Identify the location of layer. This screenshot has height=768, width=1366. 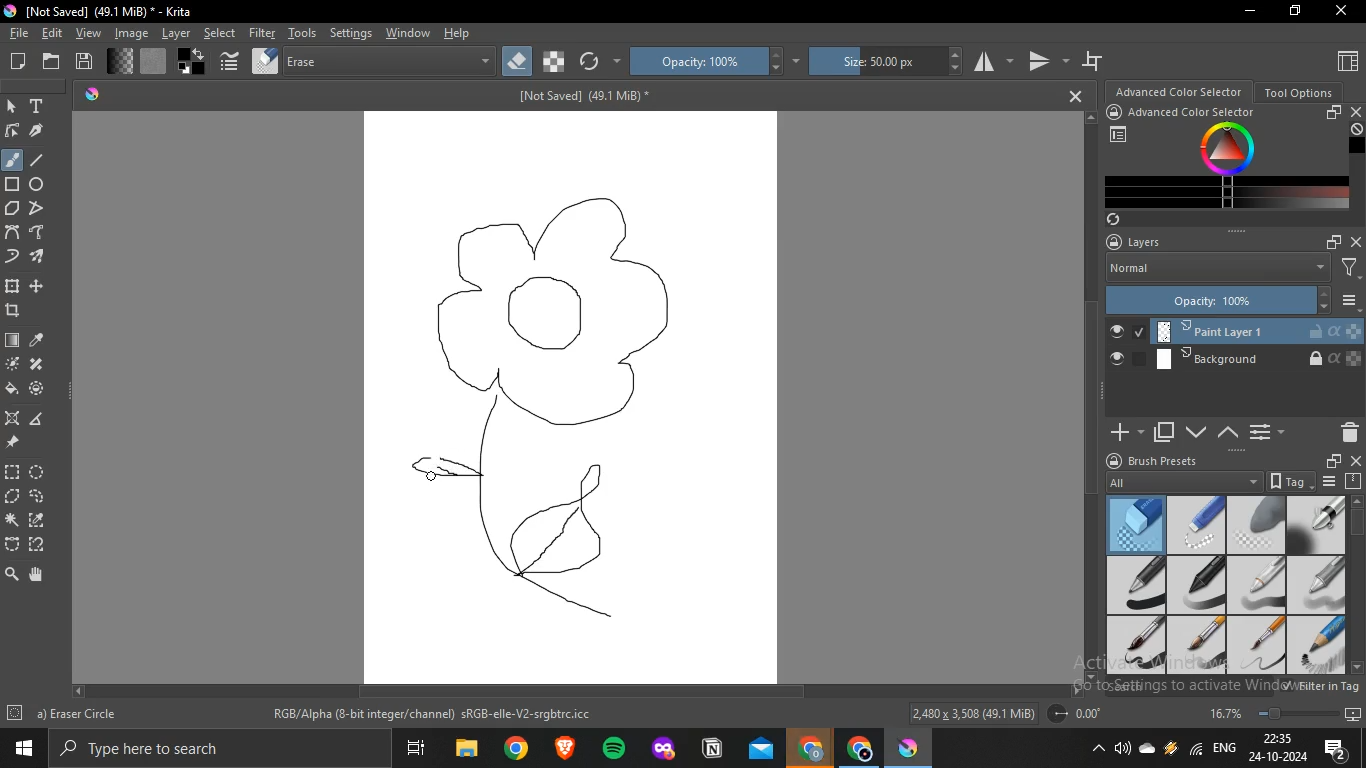
(173, 34).